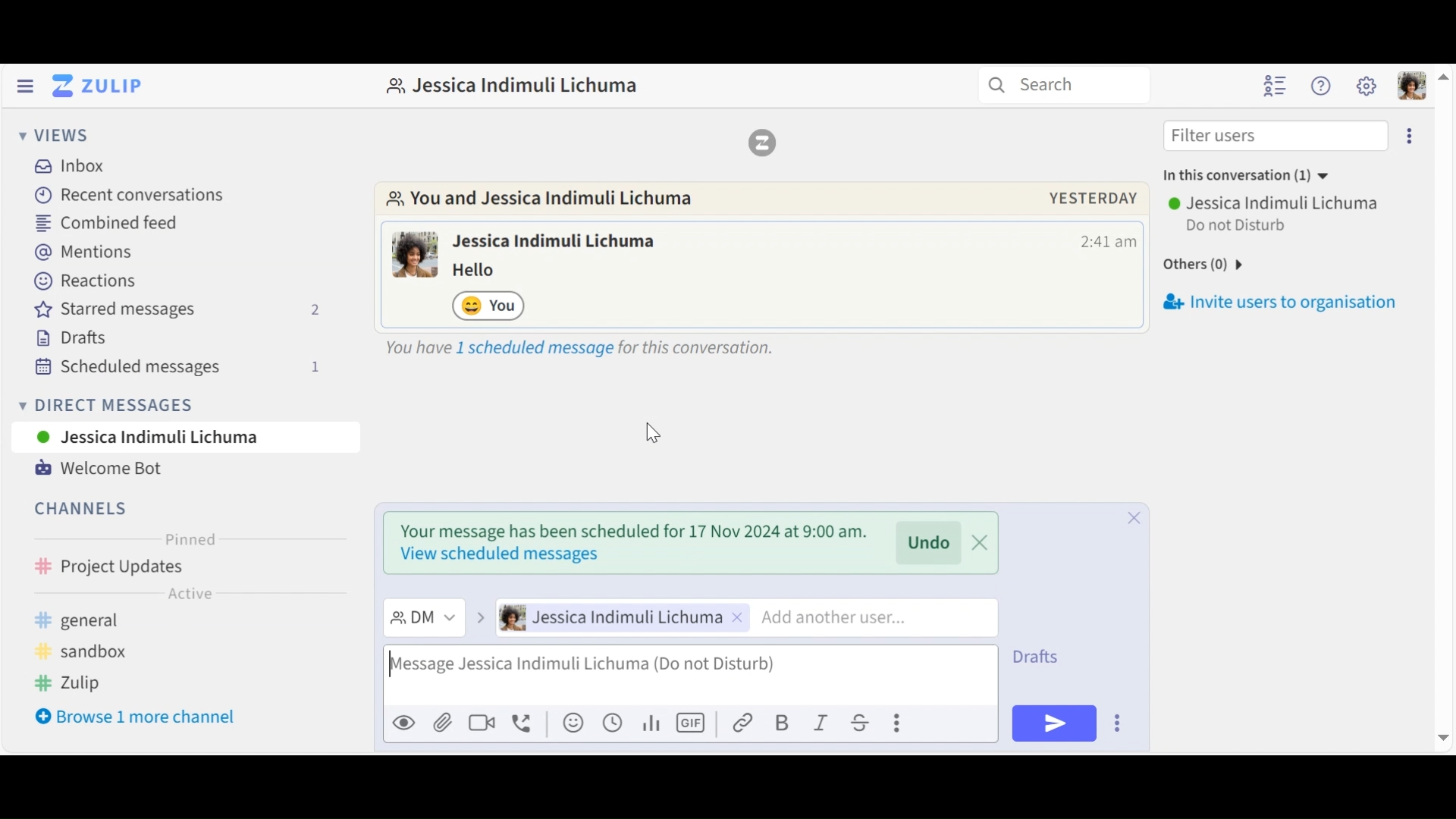 Image resolution: width=1456 pixels, height=819 pixels. What do you see at coordinates (852, 617) in the screenshot?
I see `Add another user` at bounding box center [852, 617].